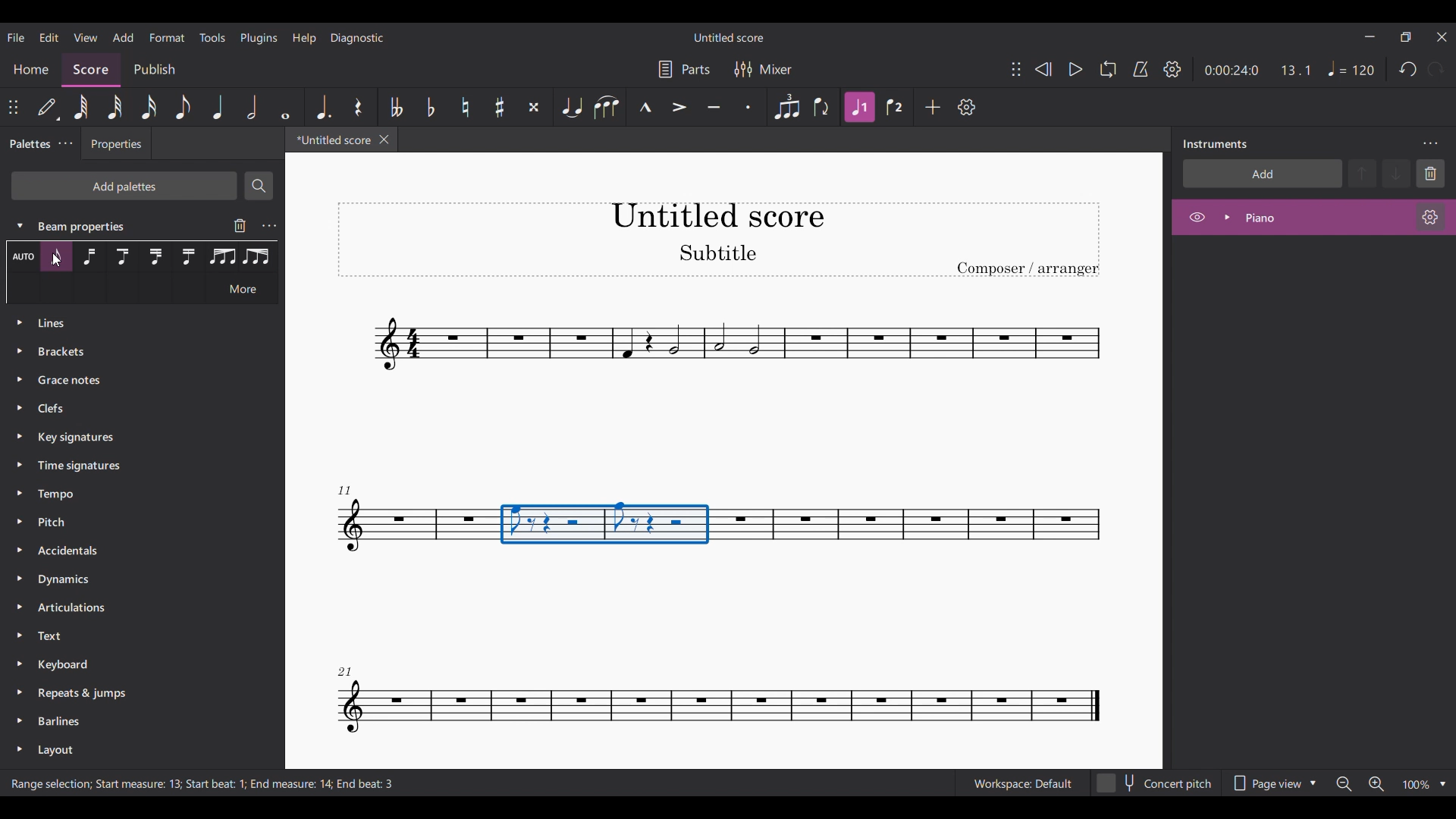 This screenshot has width=1456, height=819. I want to click on Current score, so click(723, 372).